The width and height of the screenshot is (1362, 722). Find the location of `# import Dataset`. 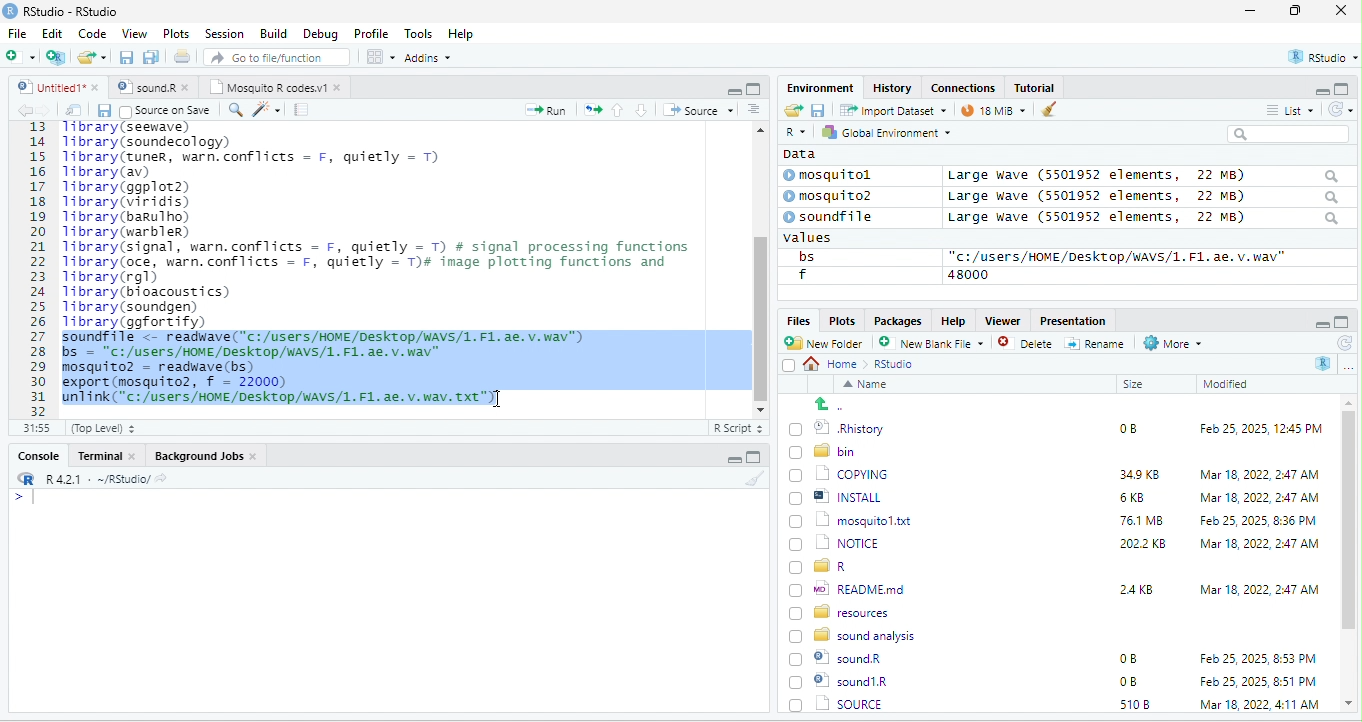

# import Dataset is located at coordinates (891, 109).